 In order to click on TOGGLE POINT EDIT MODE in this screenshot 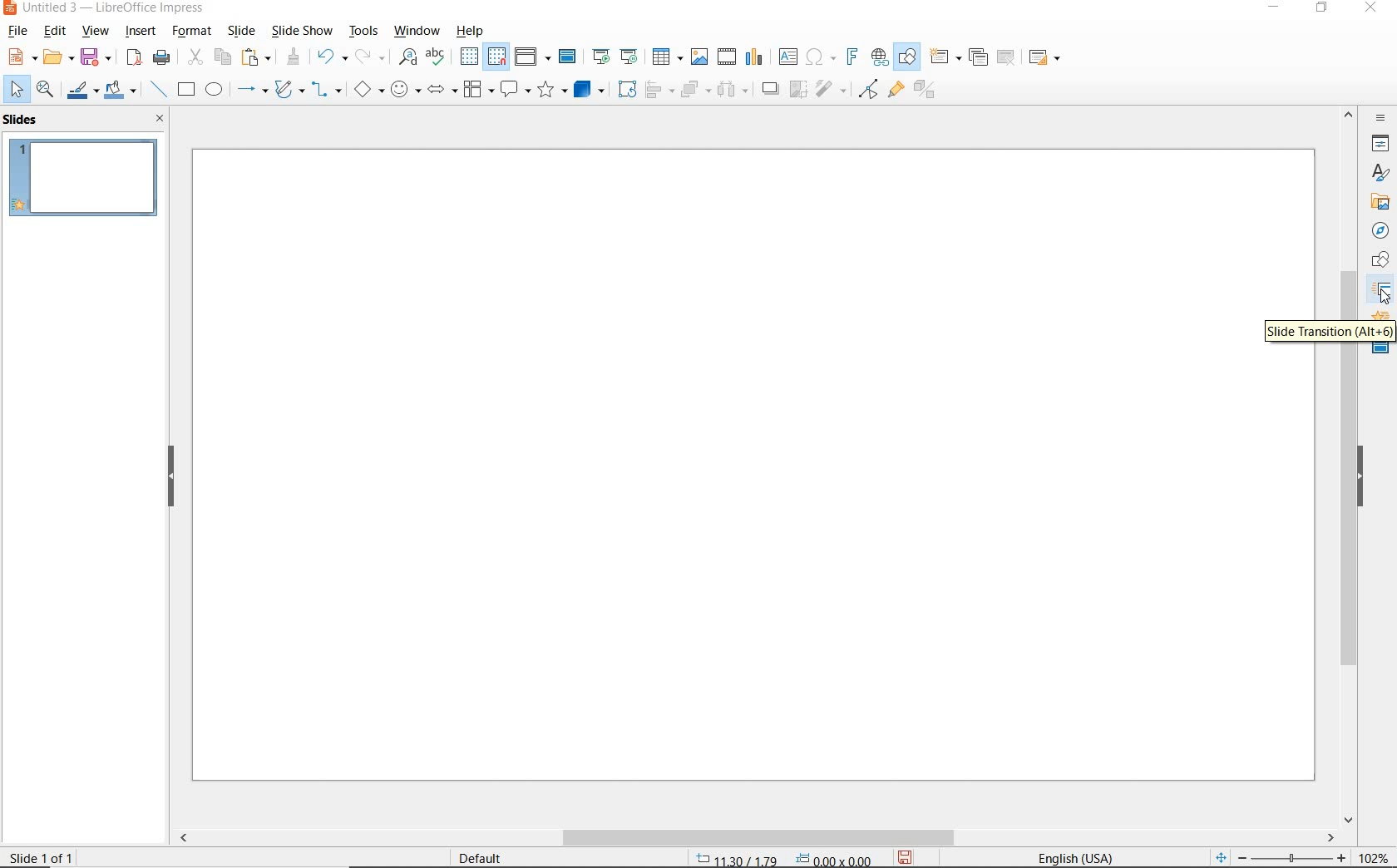, I will do `click(866, 90)`.